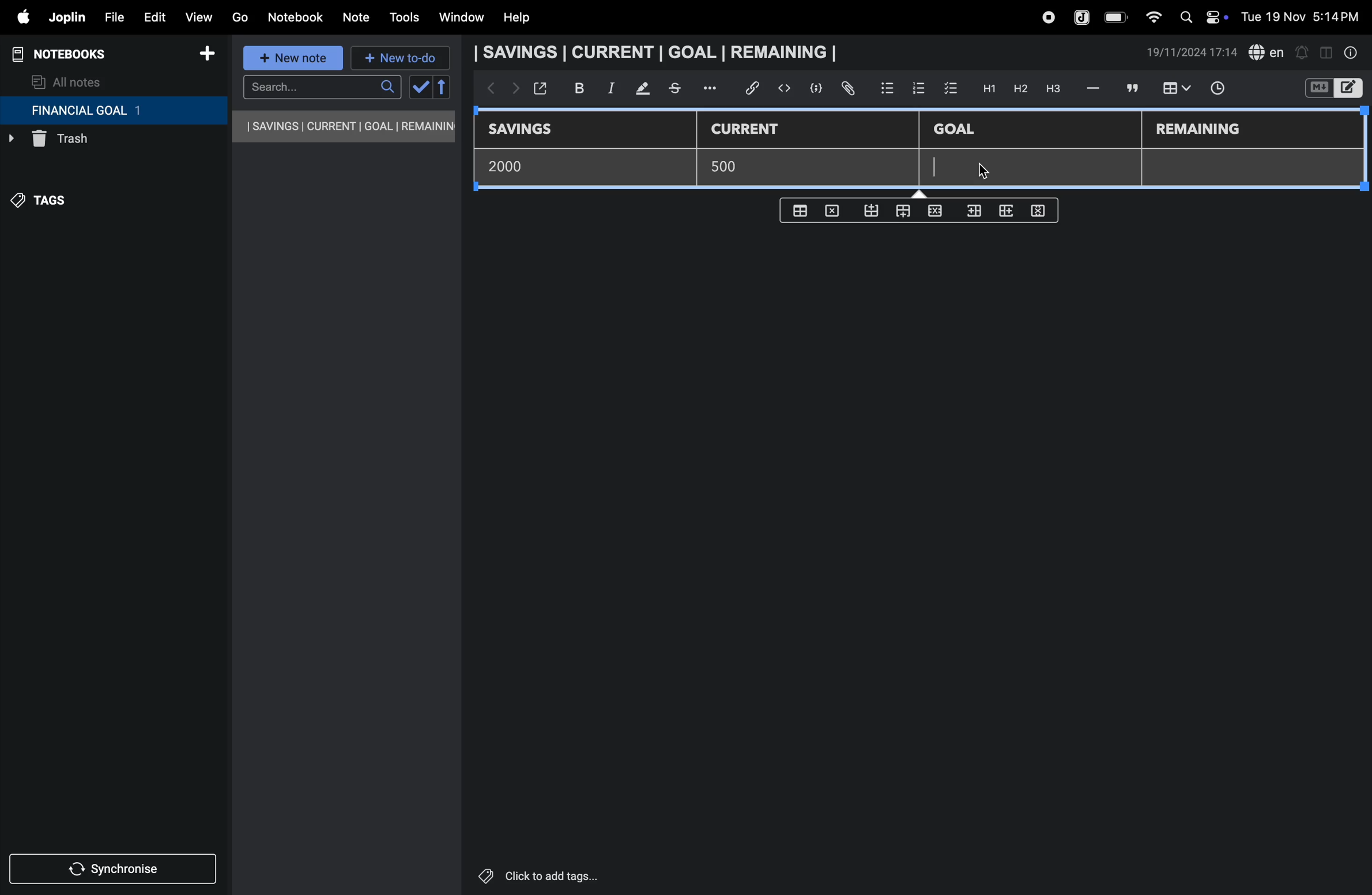 The height and width of the screenshot is (895, 1372). I want to click on comment, so click(1130, 88).